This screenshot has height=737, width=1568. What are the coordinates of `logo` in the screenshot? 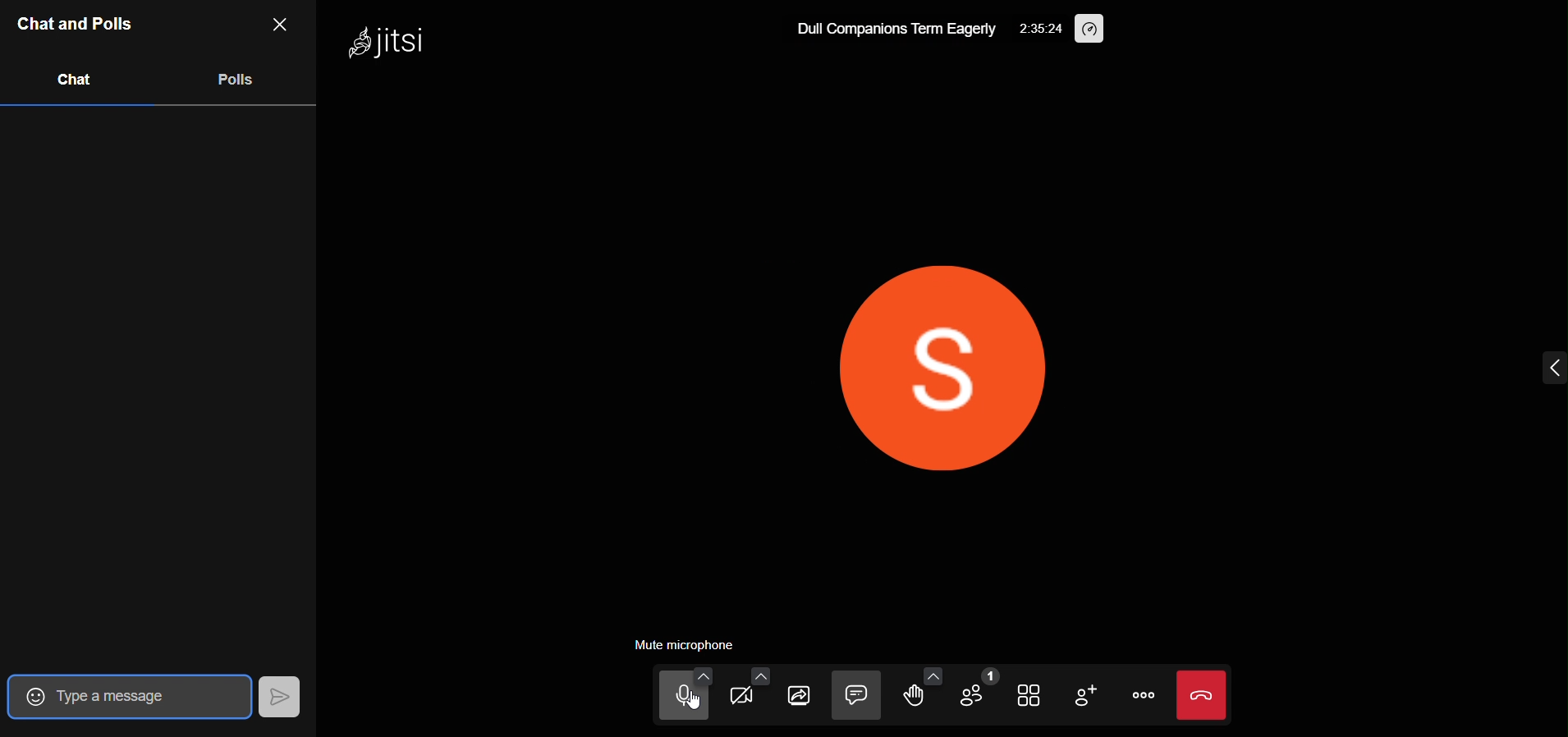 It's located at (378, 41).